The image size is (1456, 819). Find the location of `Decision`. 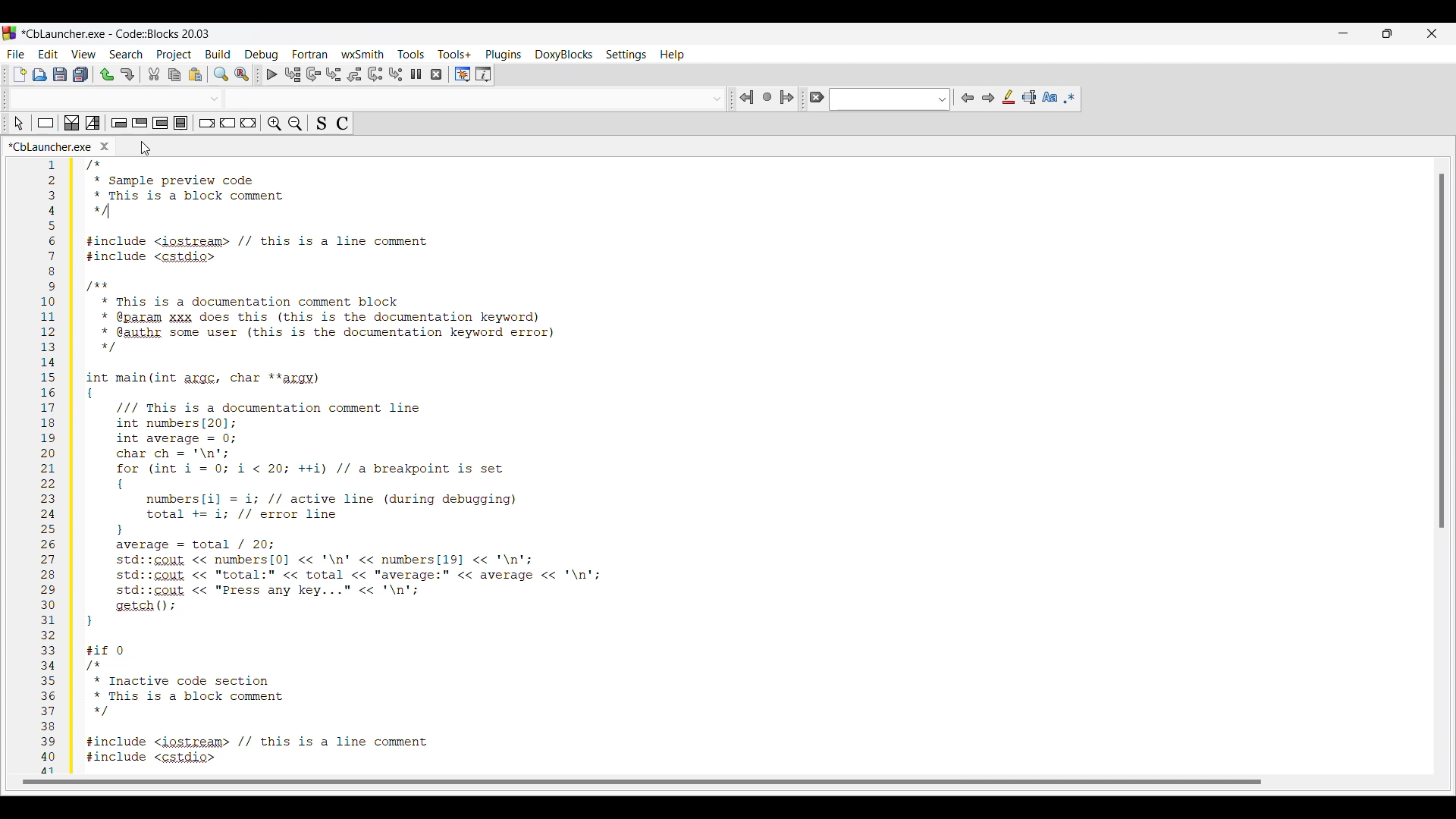

Decision is located at coordinates (73, 122).